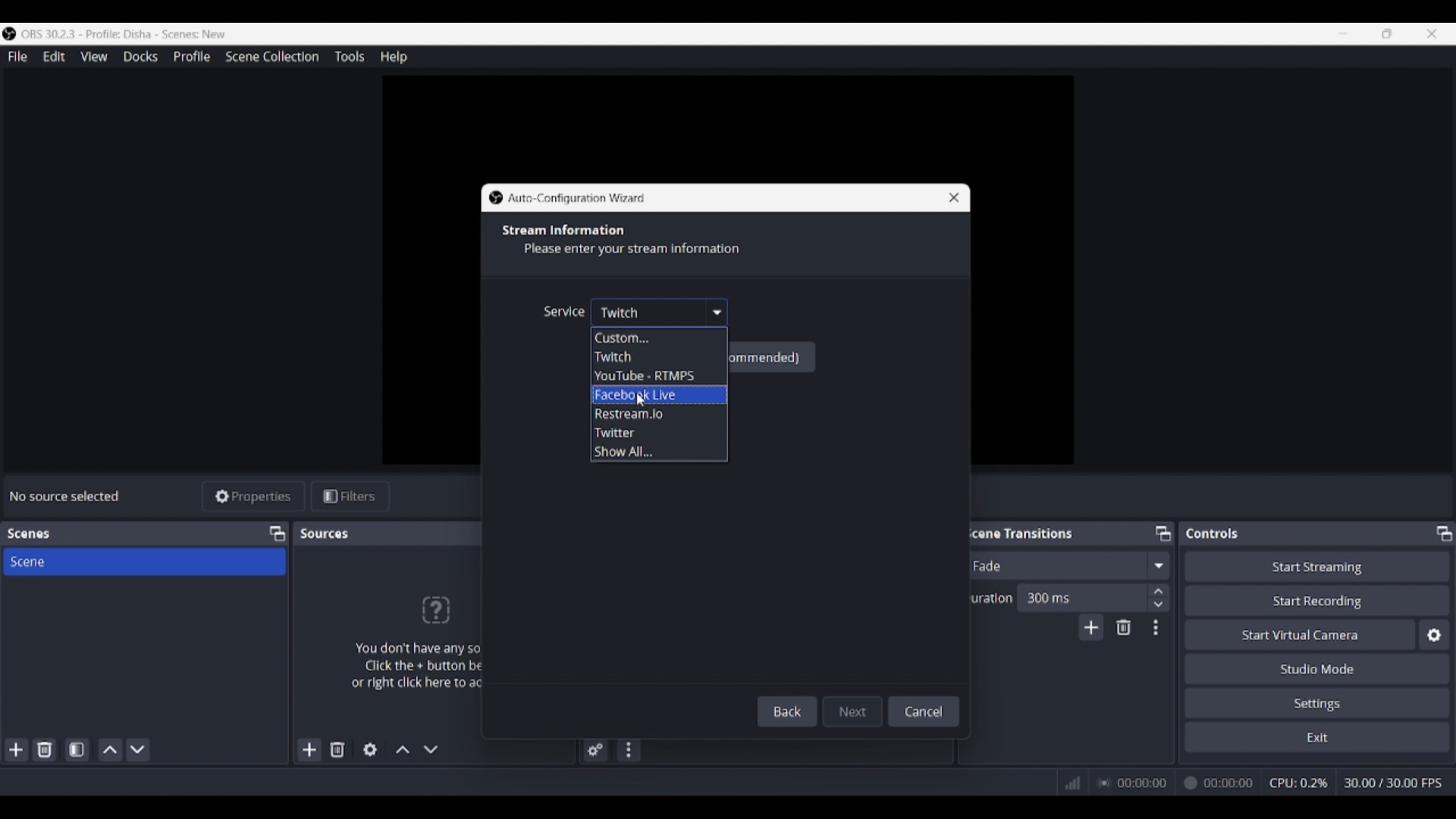 The width and height of the screenshot is (1456, 819). I want to click on Cursor, so click(649, 401).